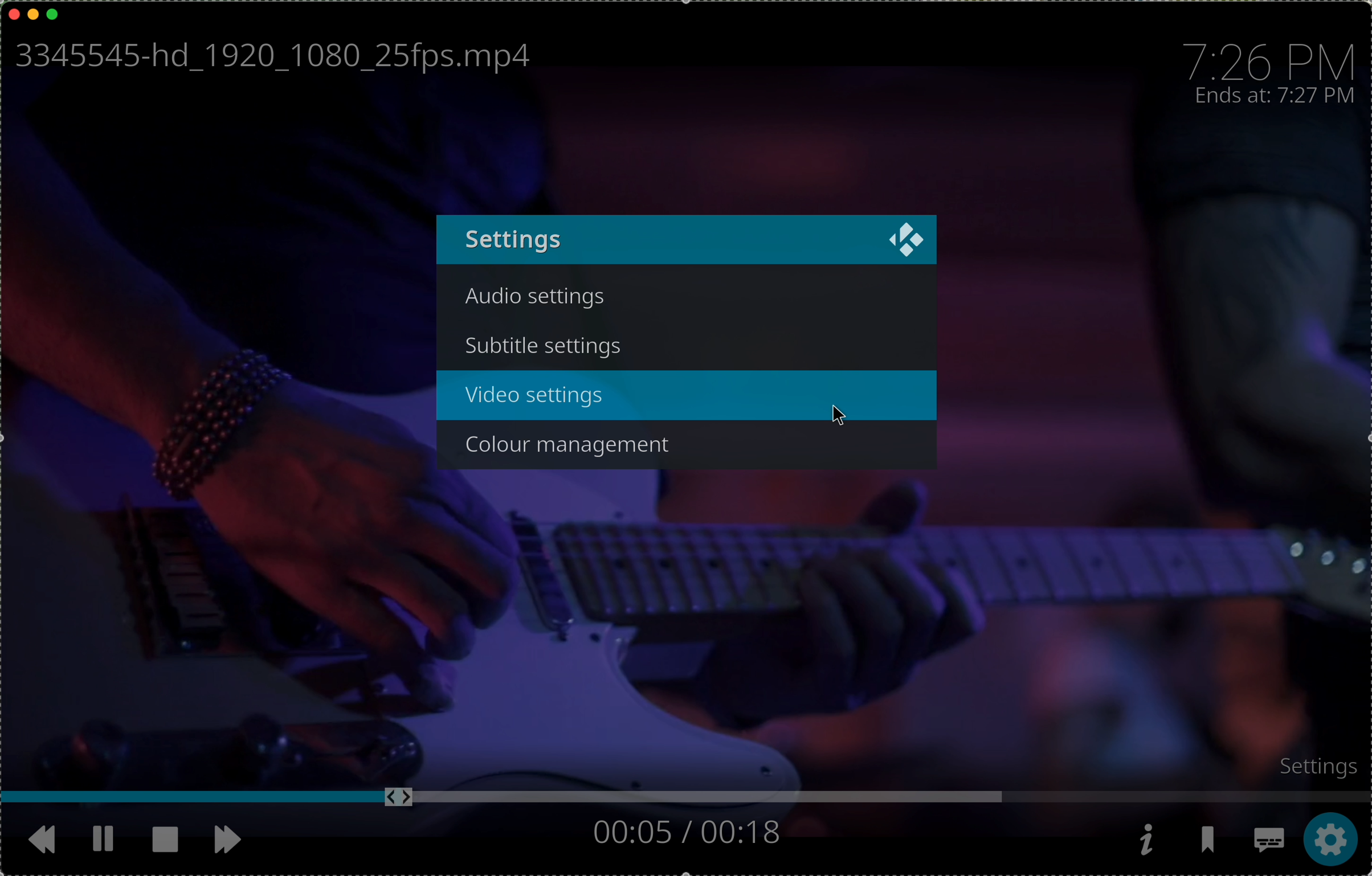 The width and height of the screenshot is (1372, 876). Describe the element at coordinates (165, 838) in the screenshot. I see `stop` at that location.